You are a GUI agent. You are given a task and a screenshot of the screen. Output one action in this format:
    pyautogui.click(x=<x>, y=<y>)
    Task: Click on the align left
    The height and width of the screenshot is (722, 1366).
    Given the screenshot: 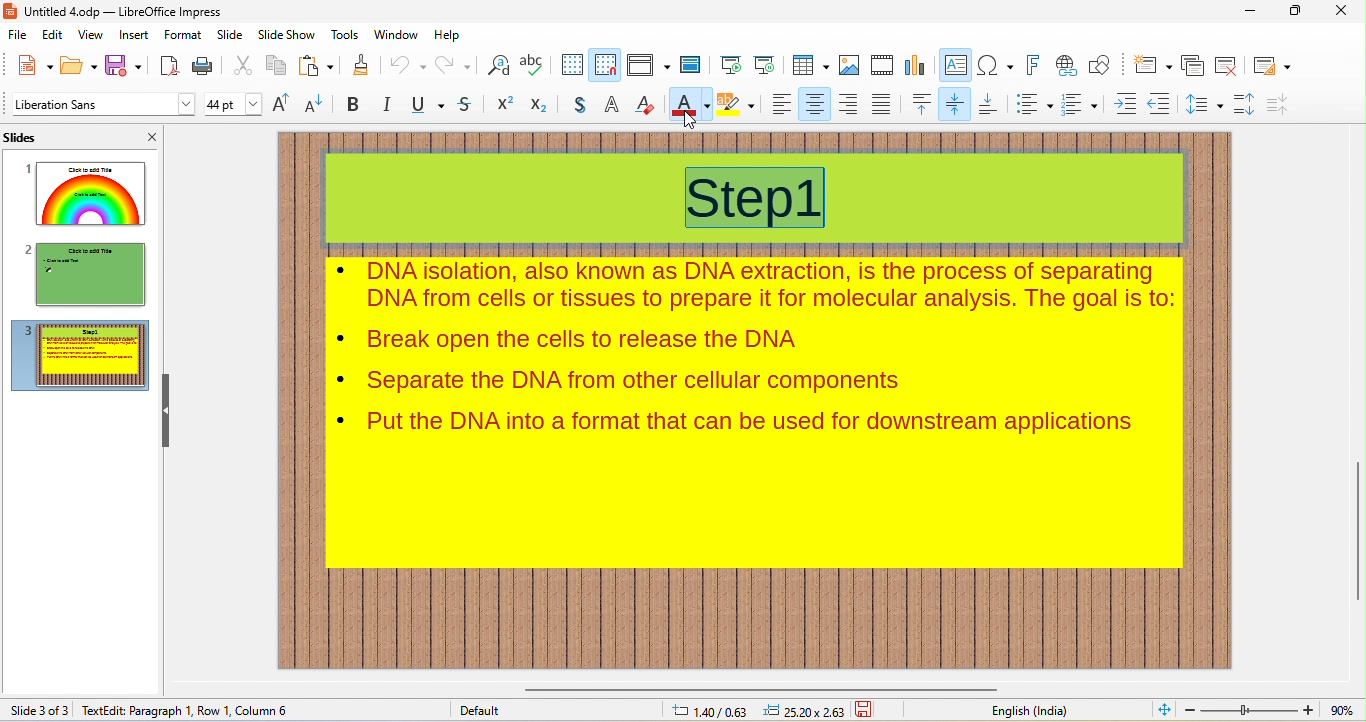 What is the action you would take?
    pyautogui.click(x=780, y=105)
    